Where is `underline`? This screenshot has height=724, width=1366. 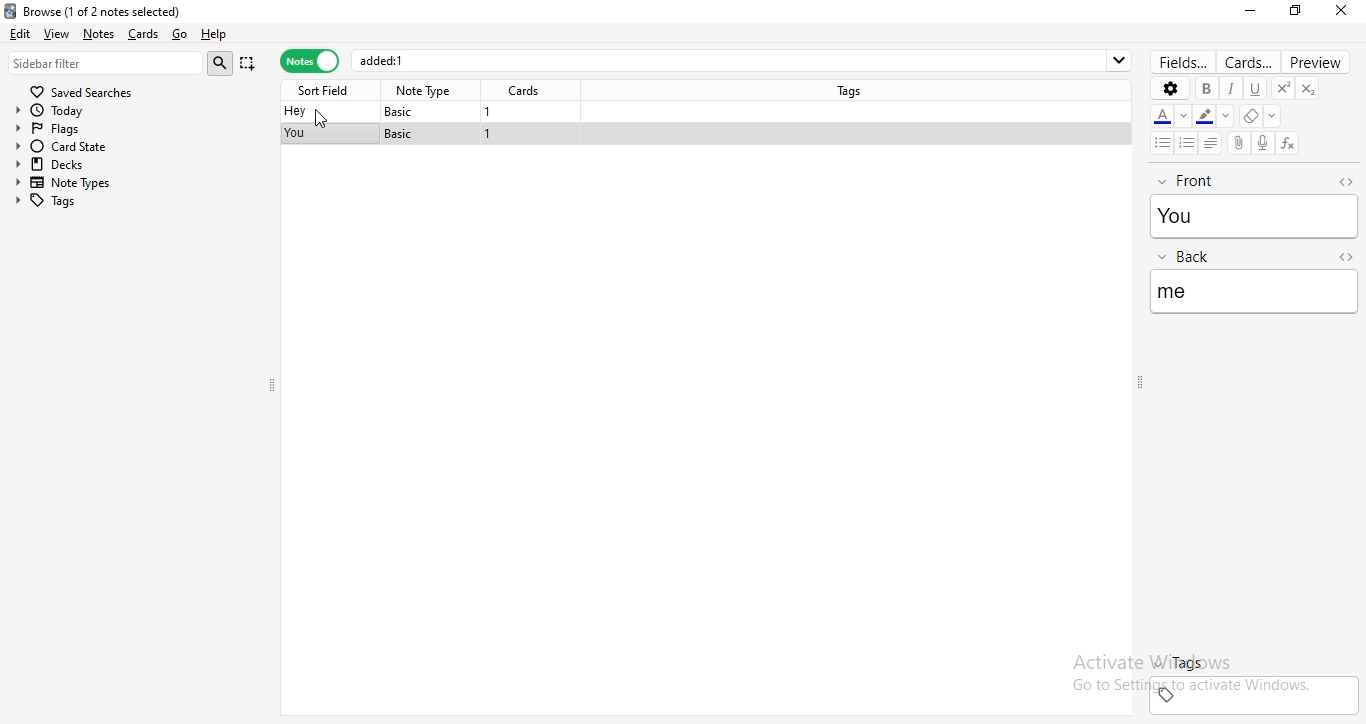
underline is located at coordinates (1254, 87).